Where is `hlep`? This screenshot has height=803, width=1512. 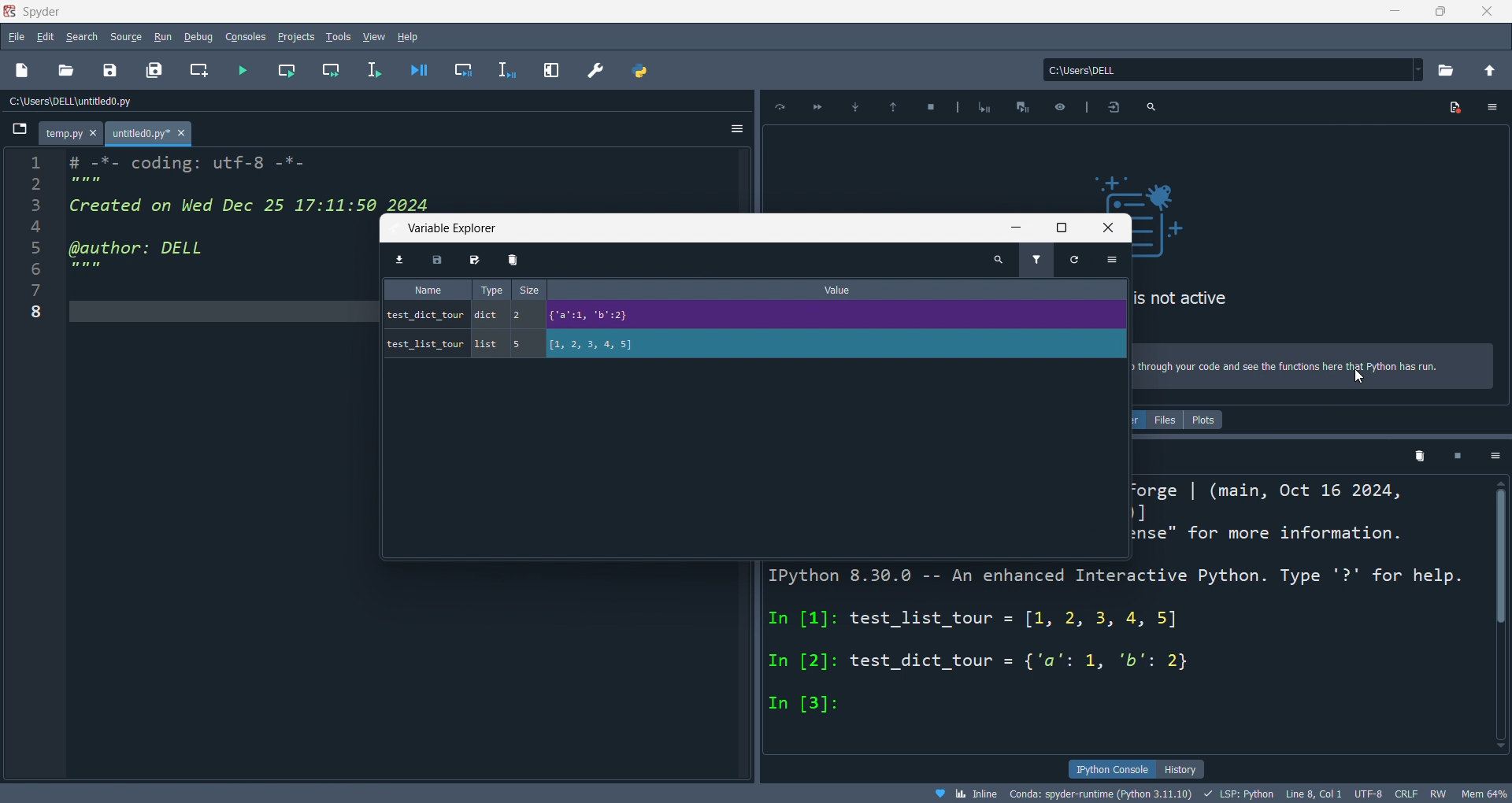 hlep is located at coordinates (409, 34).